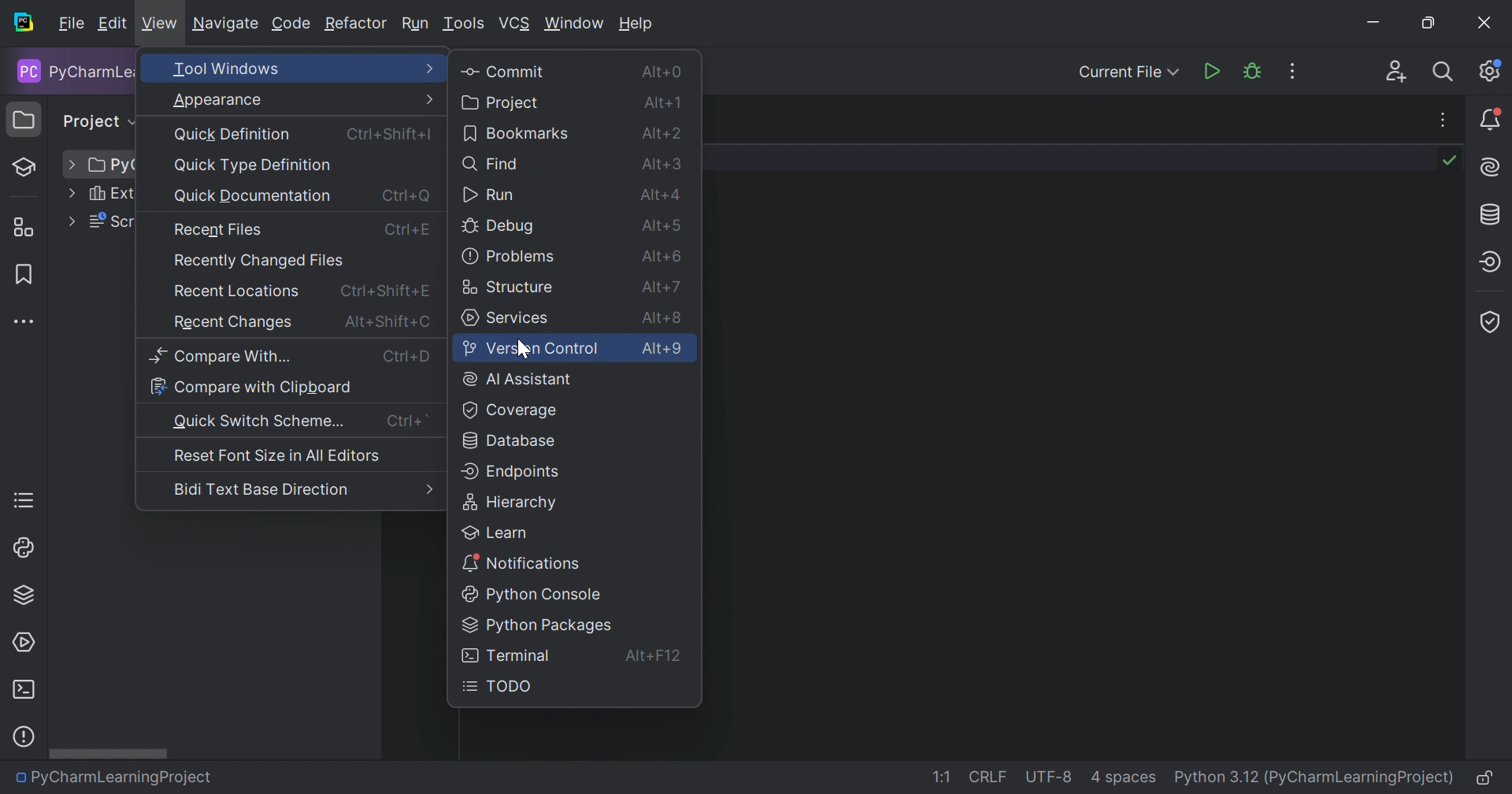 Image resolution: width=1512 pixels, height=794 pixels. Describe the element at coordinates (493, 163) in the screenshot. I see `Find` at that location.